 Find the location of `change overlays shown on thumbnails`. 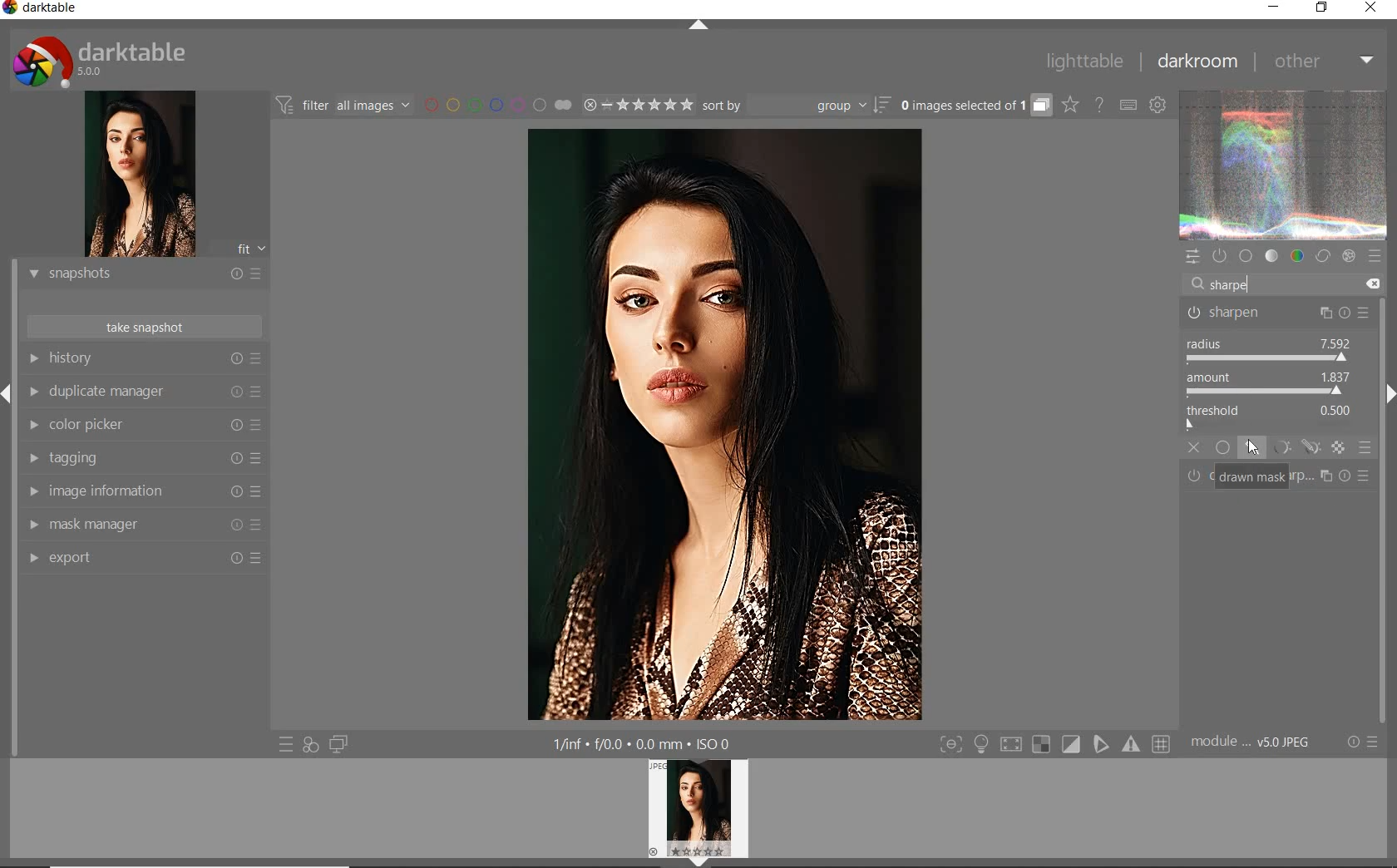

change overlays shown on thumbnails is located at coordinates (1069, 106).